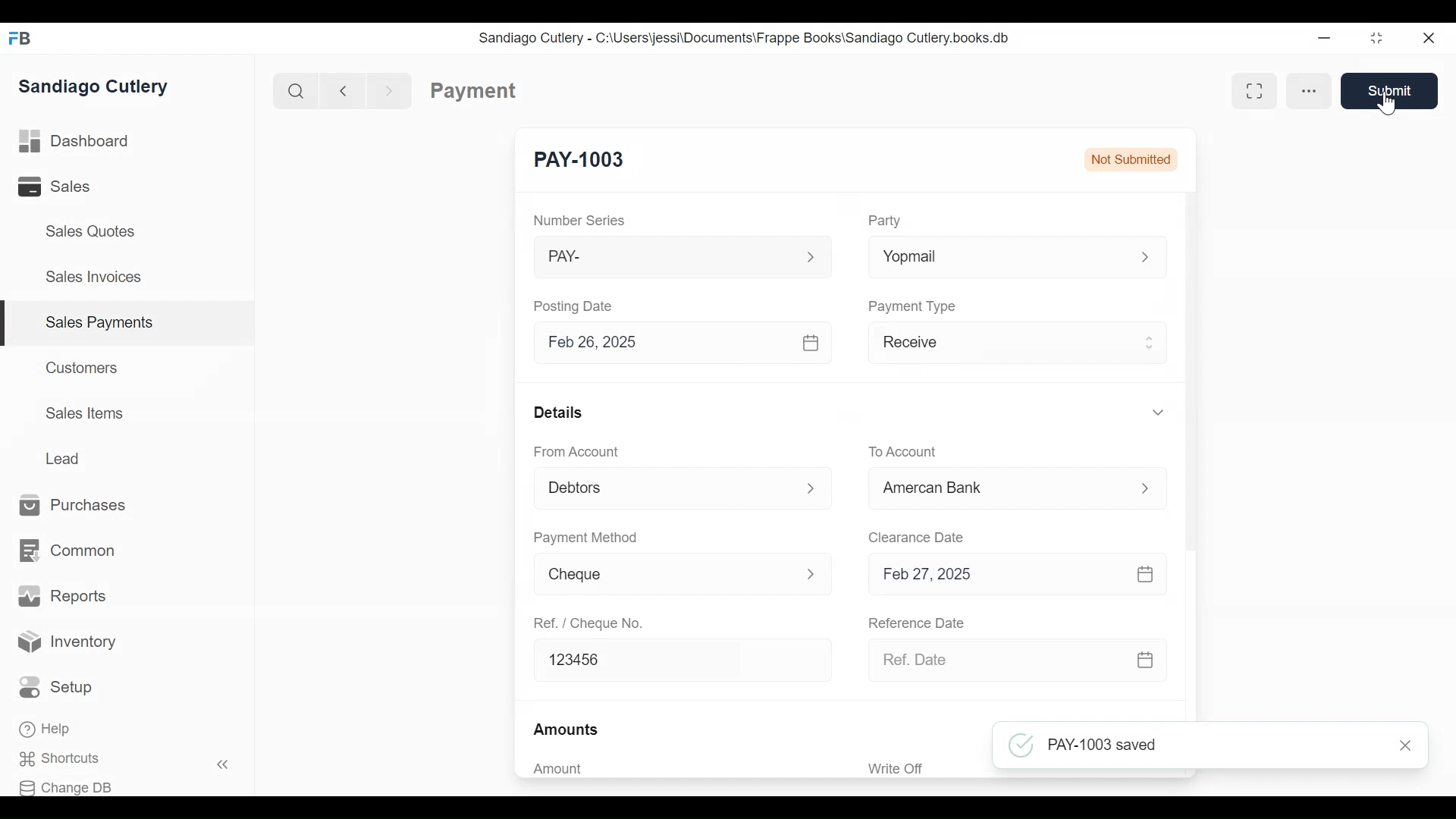 This screenshot has width=1456, height=819. Describe the element at coordinates (1390, 90) in the screenshot. I see `Save` at that location.